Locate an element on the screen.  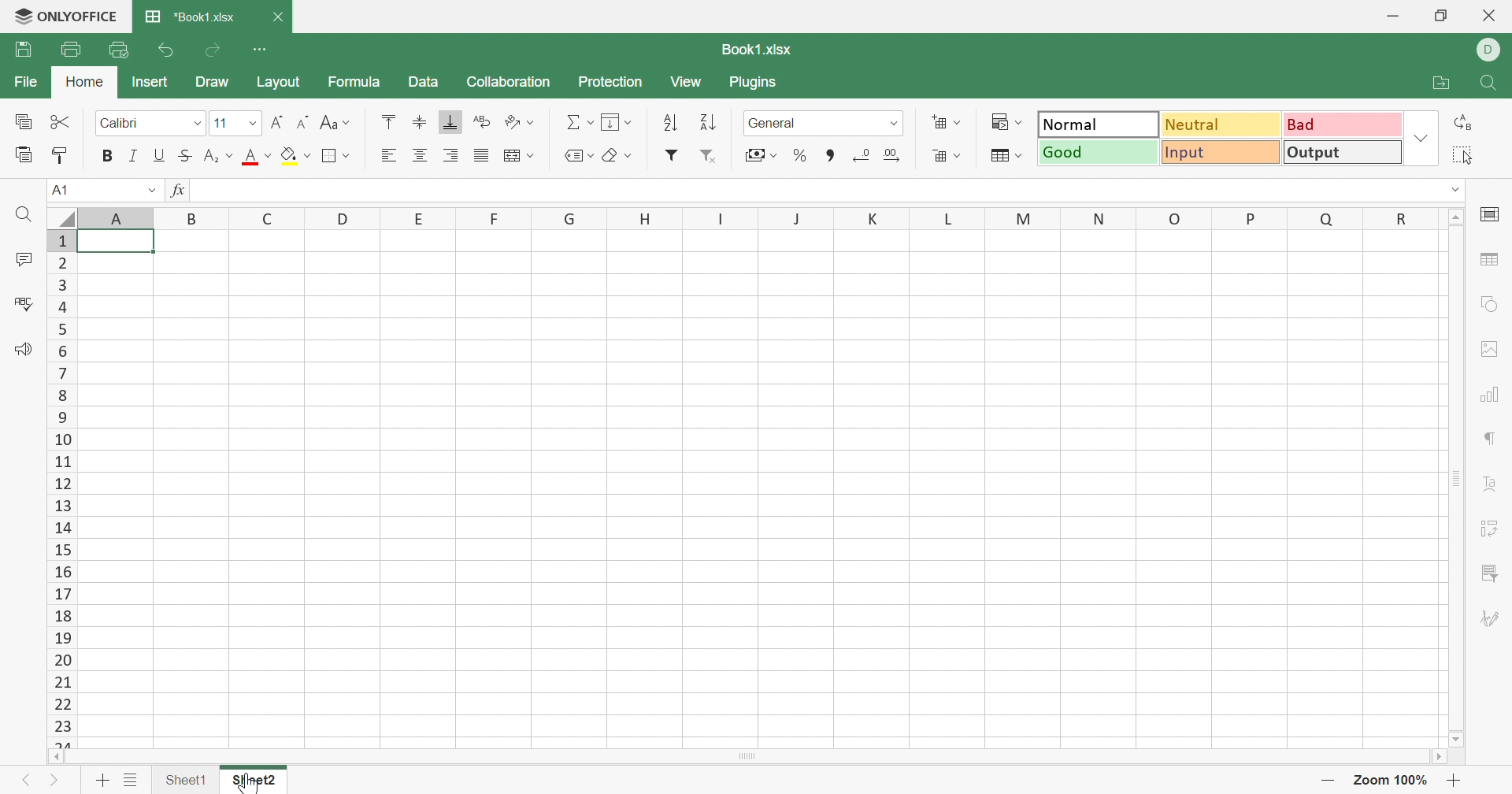
Scroll Bar is located at coordinates (1458, 480).